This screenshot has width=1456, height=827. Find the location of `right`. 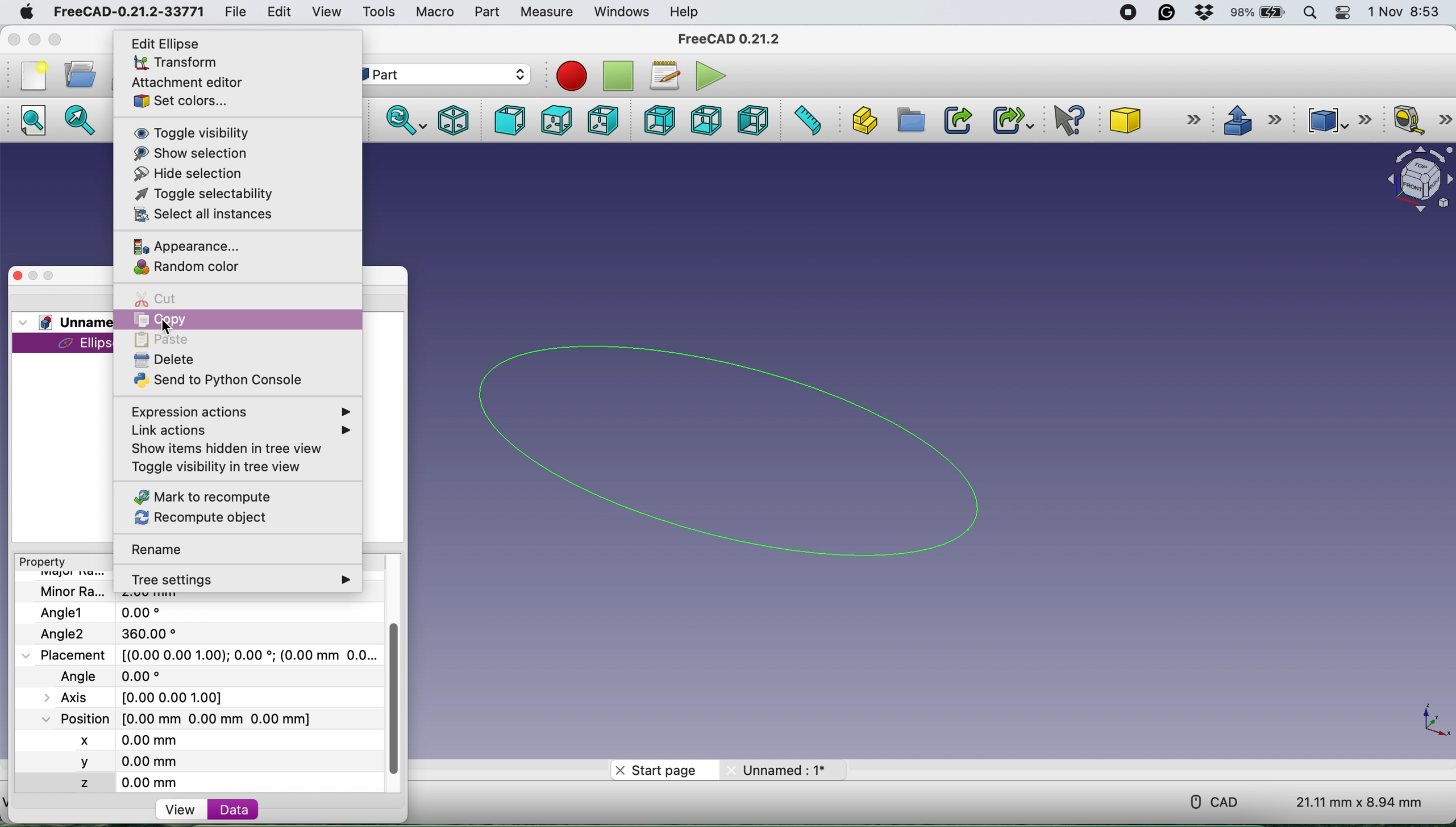

right is located at coordinates (605, 120).